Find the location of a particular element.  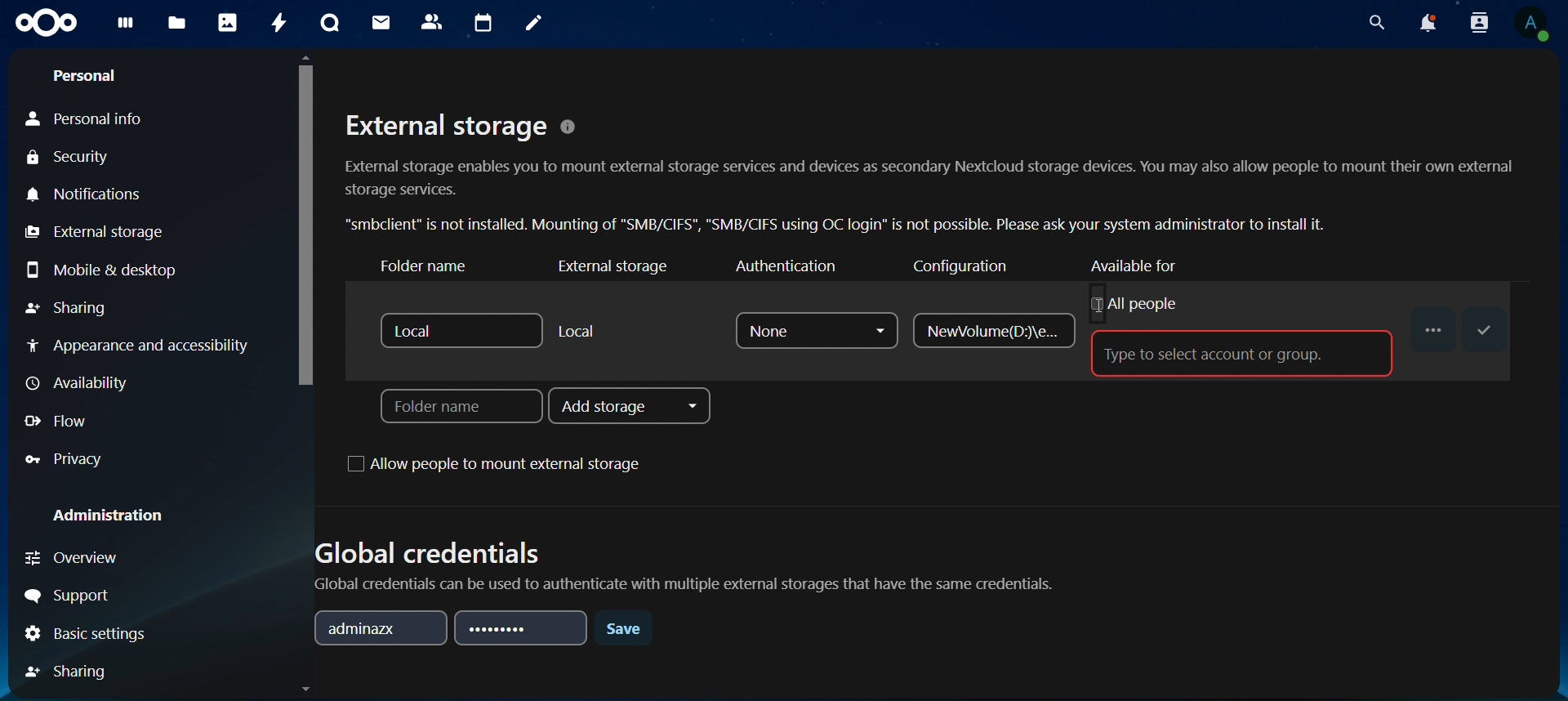

privacy is located at coordinates (64, 458).